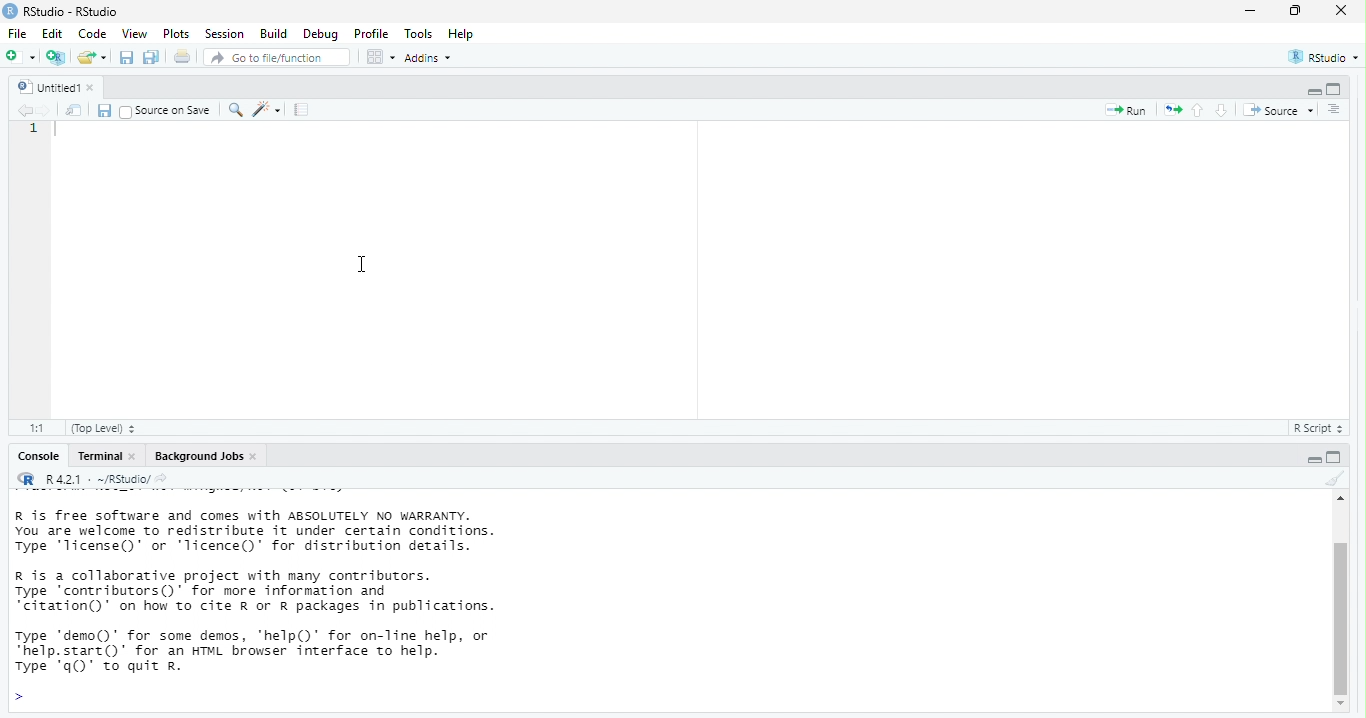 The width and height of the screenshot is (1366, 718). Describe the element at coordinates (257, 457) in the screenshot. I see `close` at that location.